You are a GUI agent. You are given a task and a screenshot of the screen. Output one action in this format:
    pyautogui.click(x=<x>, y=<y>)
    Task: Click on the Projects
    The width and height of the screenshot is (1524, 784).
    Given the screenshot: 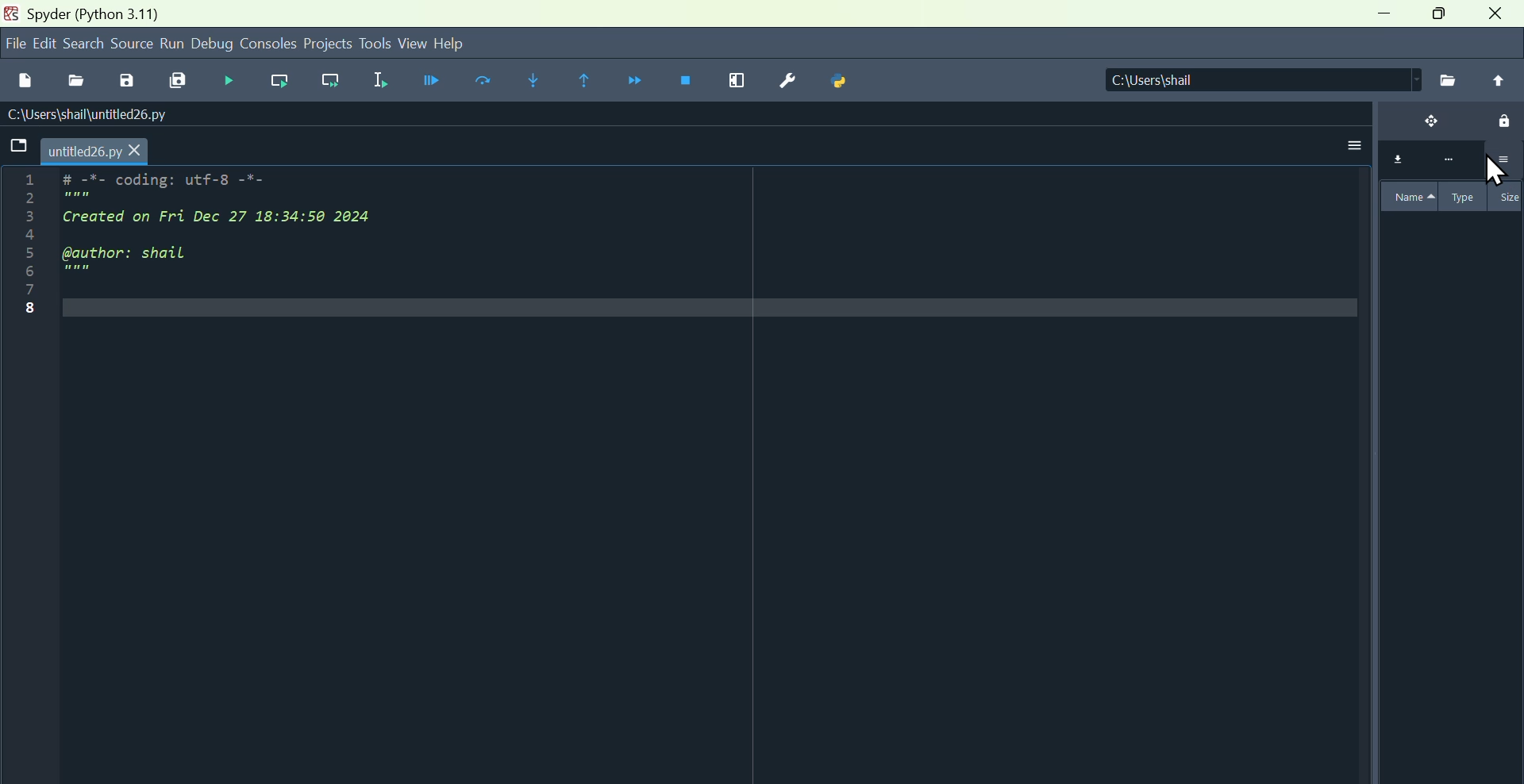 What is the action you would take?
    pyautogui.click(x=329, y=42)
    